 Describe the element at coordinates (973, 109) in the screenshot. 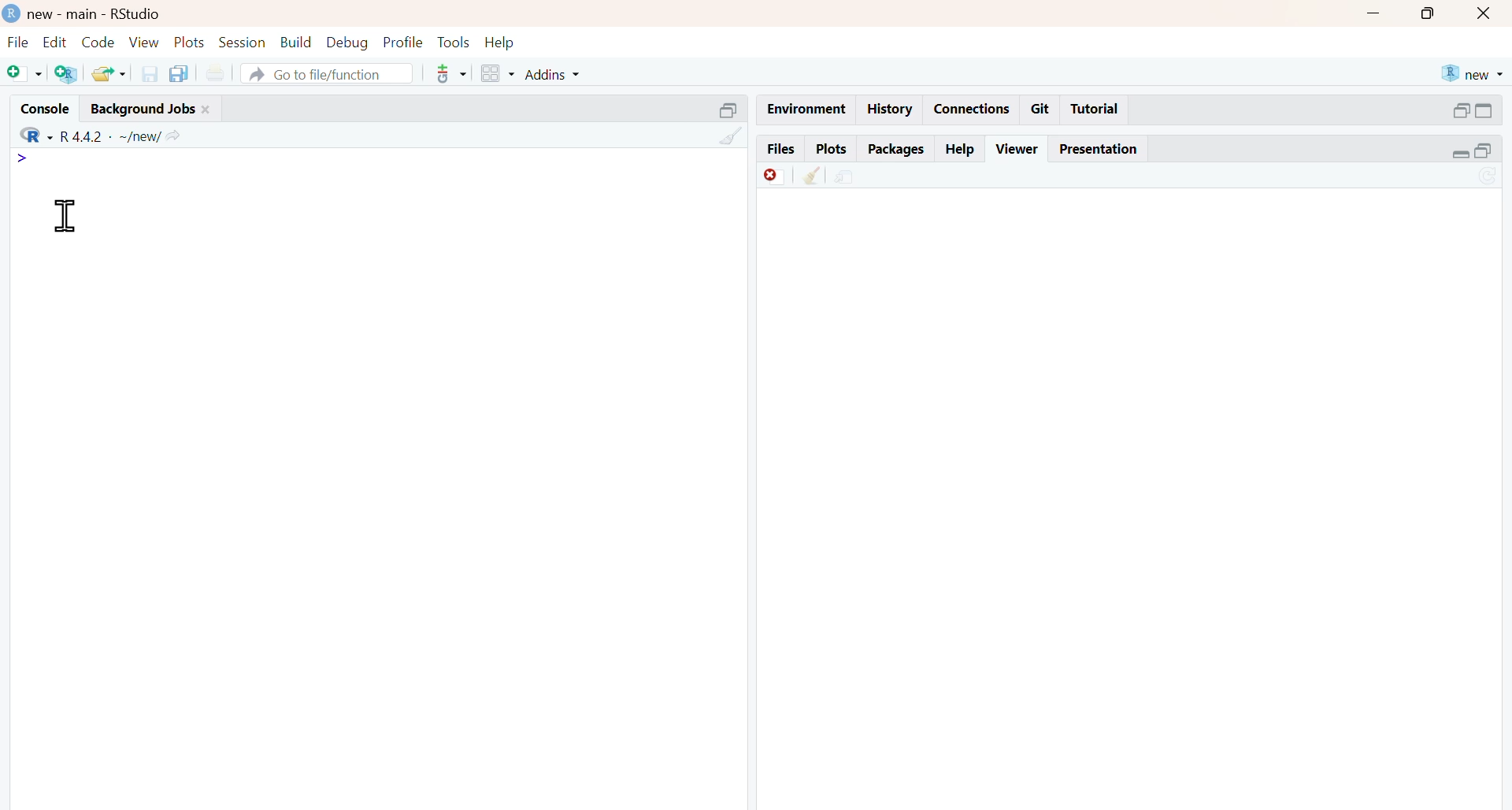

I see `connections` at that location.